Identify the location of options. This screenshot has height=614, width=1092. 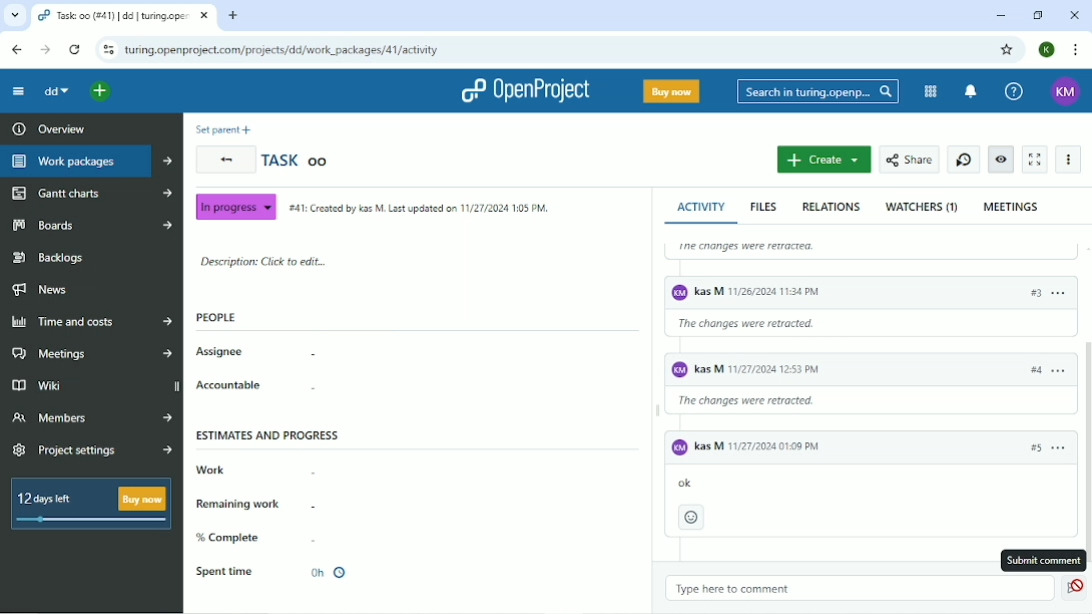
(1061, 444).